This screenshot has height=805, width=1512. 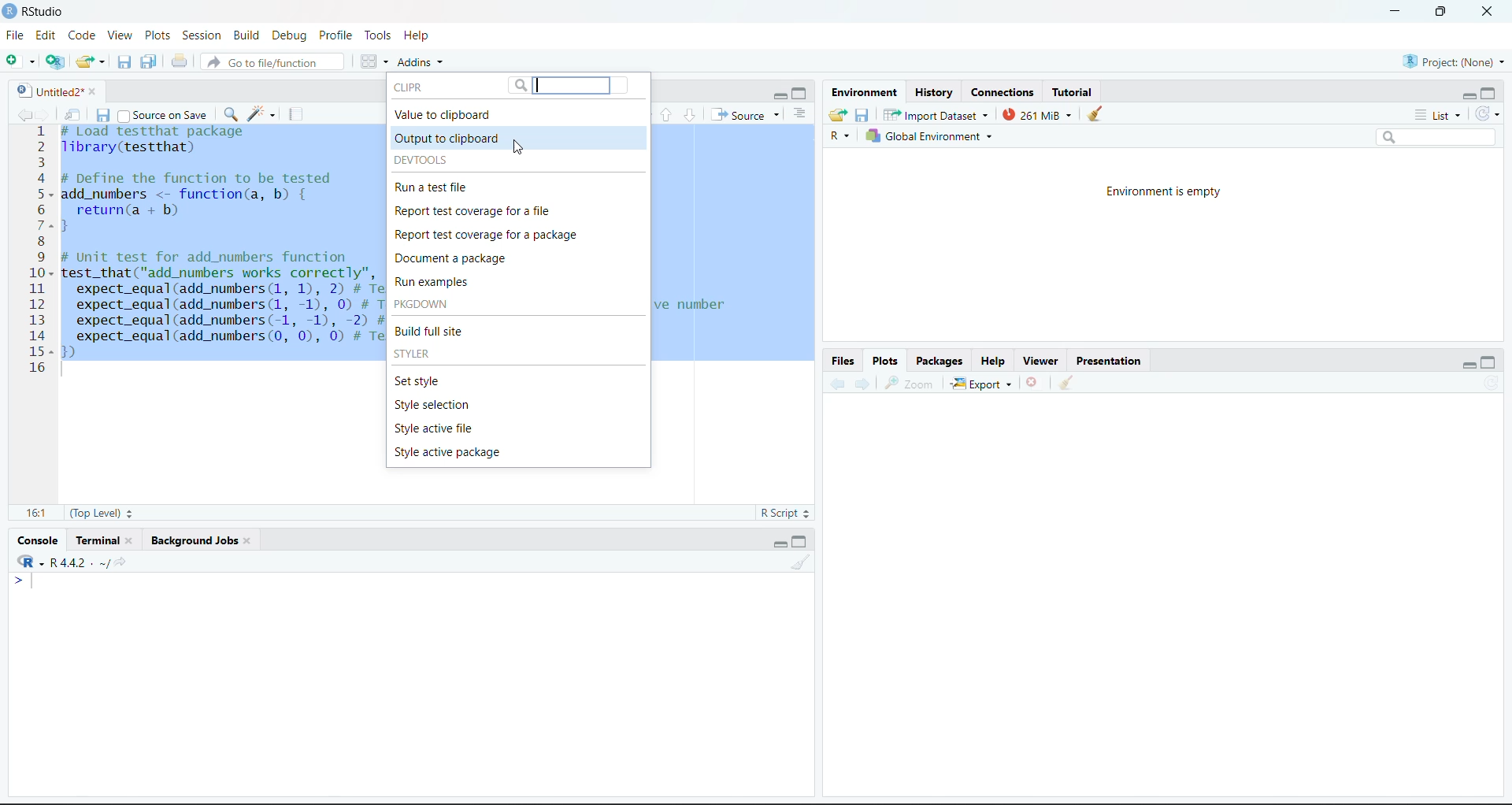 I want to click on create a project, so click(x=54, y=61).